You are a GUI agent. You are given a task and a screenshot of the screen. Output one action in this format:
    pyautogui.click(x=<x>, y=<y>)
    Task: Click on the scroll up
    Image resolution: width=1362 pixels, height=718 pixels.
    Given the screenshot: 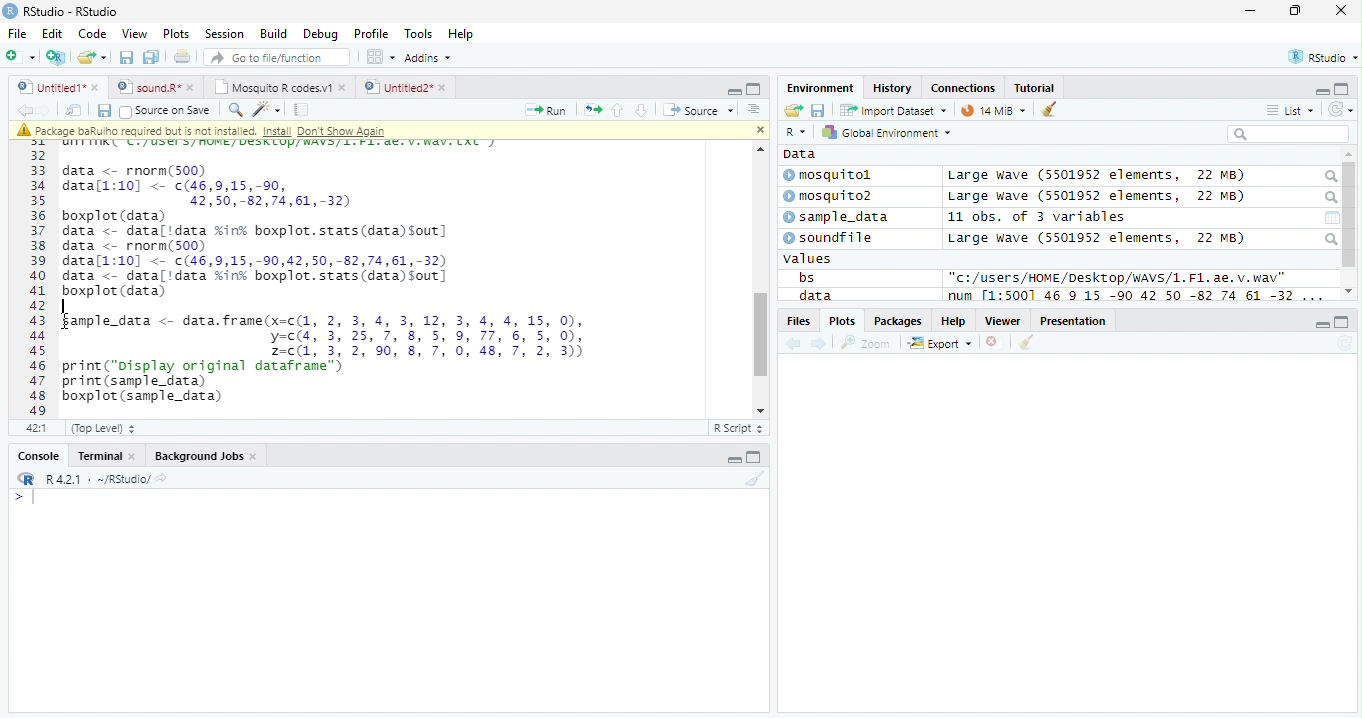 What is the action you would take?
    pyautogui.click(x=758, y=149)
    